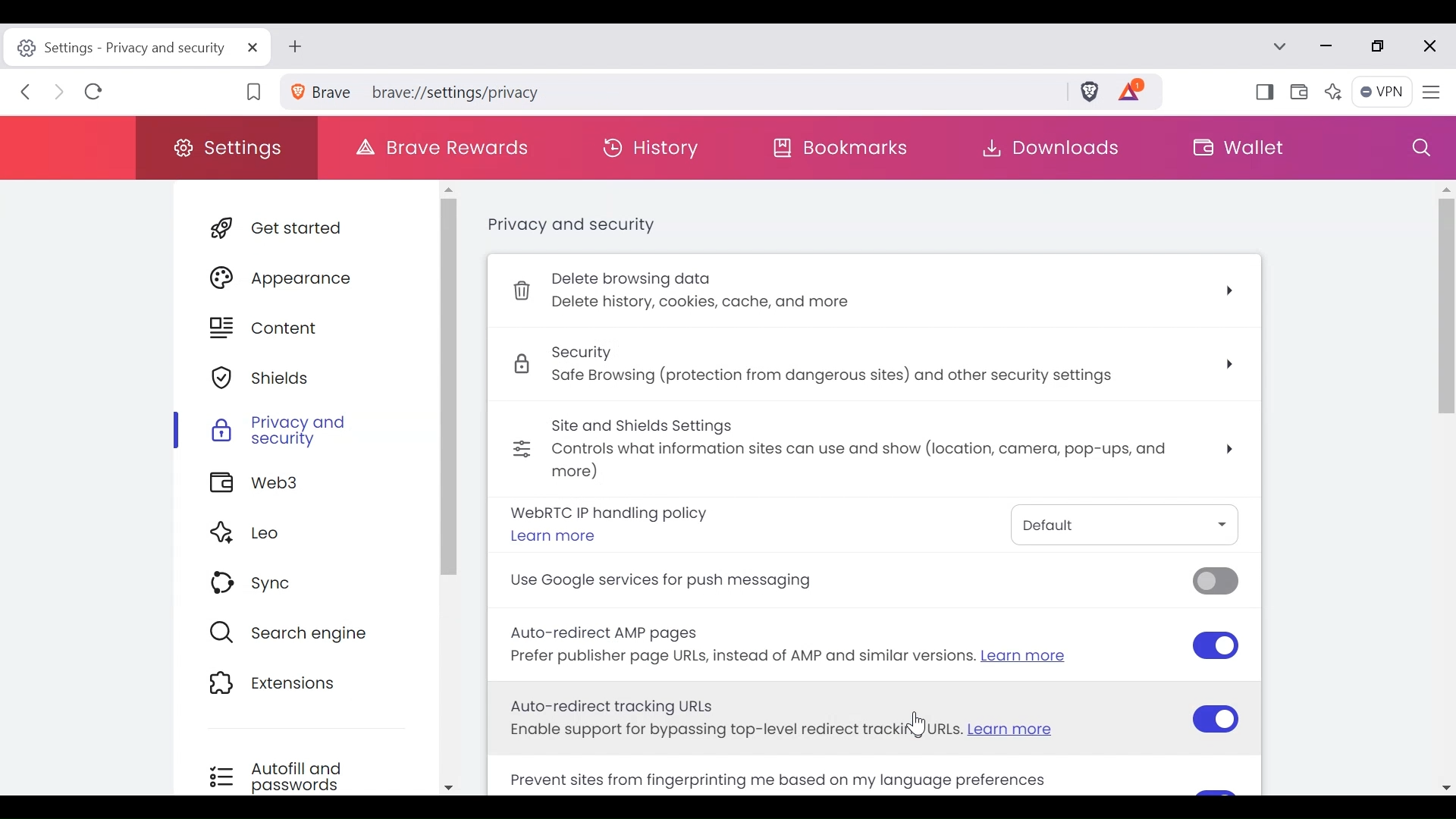  What do you see at coordinates (1140, 93) in the screenshot?
I see `Tokens` at bounding box center [1140, 93].